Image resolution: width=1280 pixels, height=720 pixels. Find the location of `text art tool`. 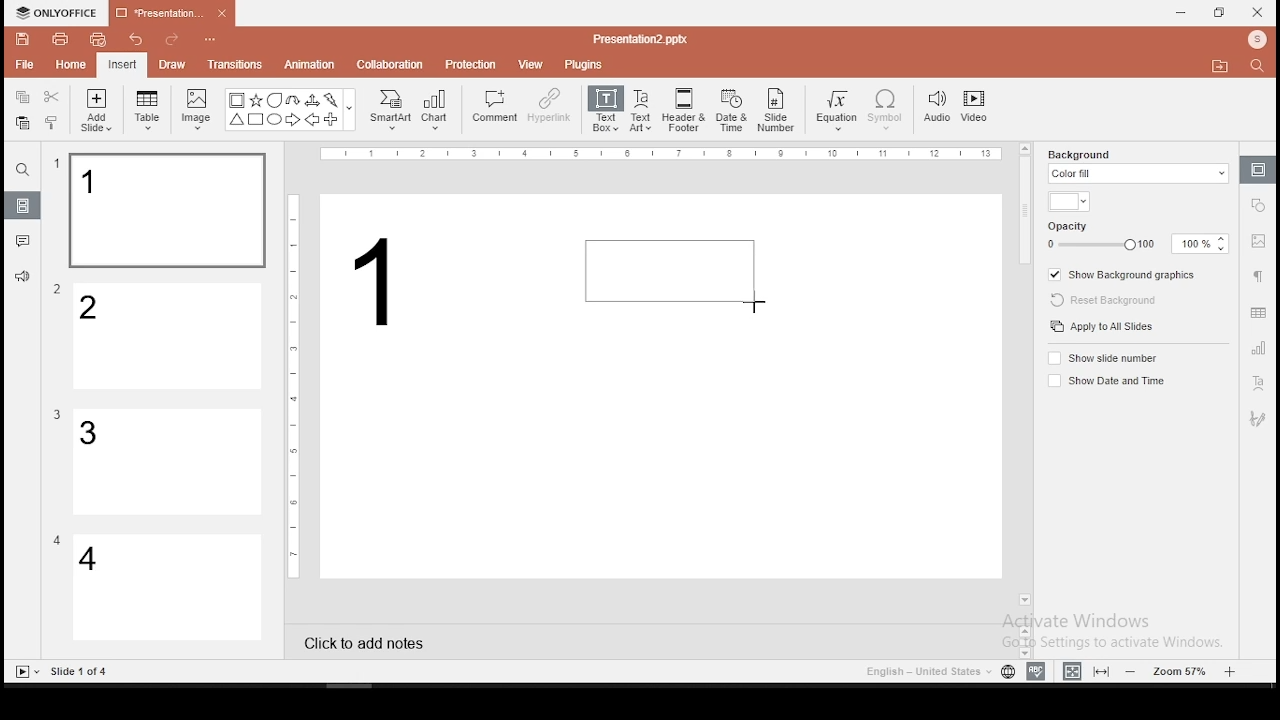

text art tool is located at coordinates (1257, 384).